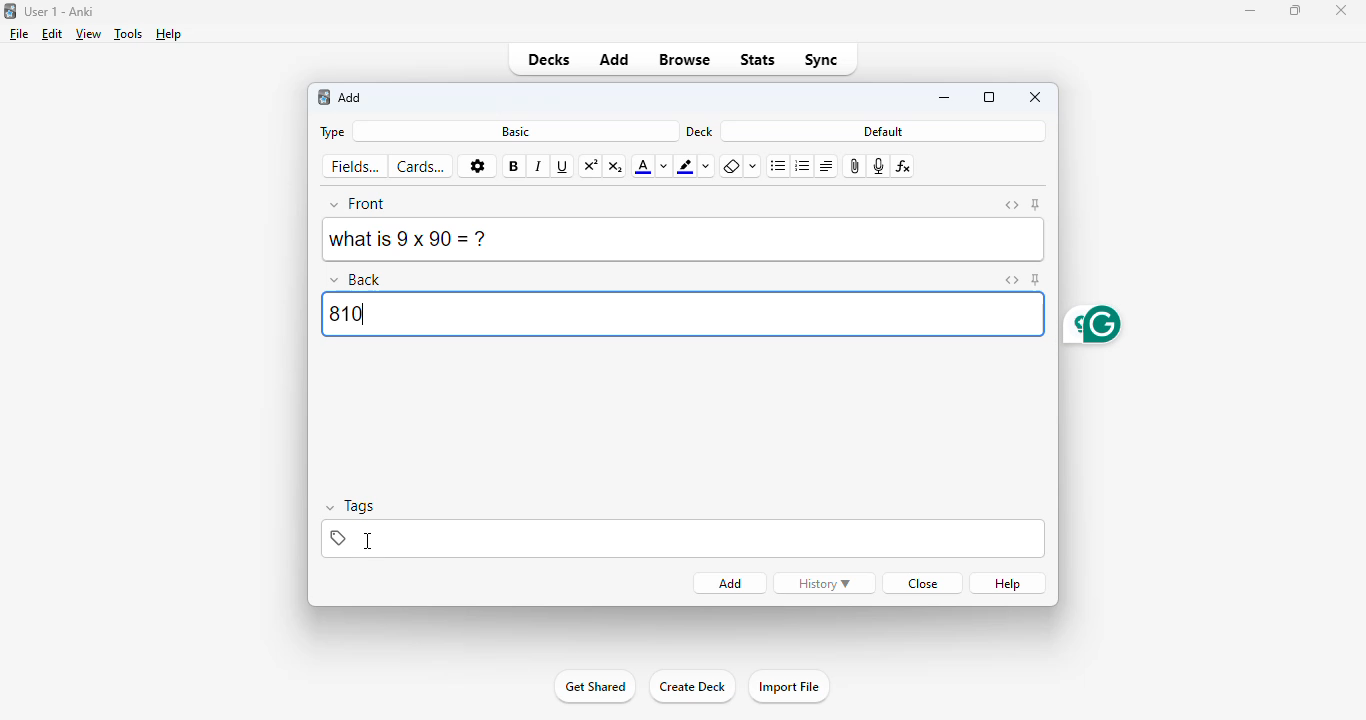 The image size is (1366, 720). I want to click on subscript, so click(616, 166).